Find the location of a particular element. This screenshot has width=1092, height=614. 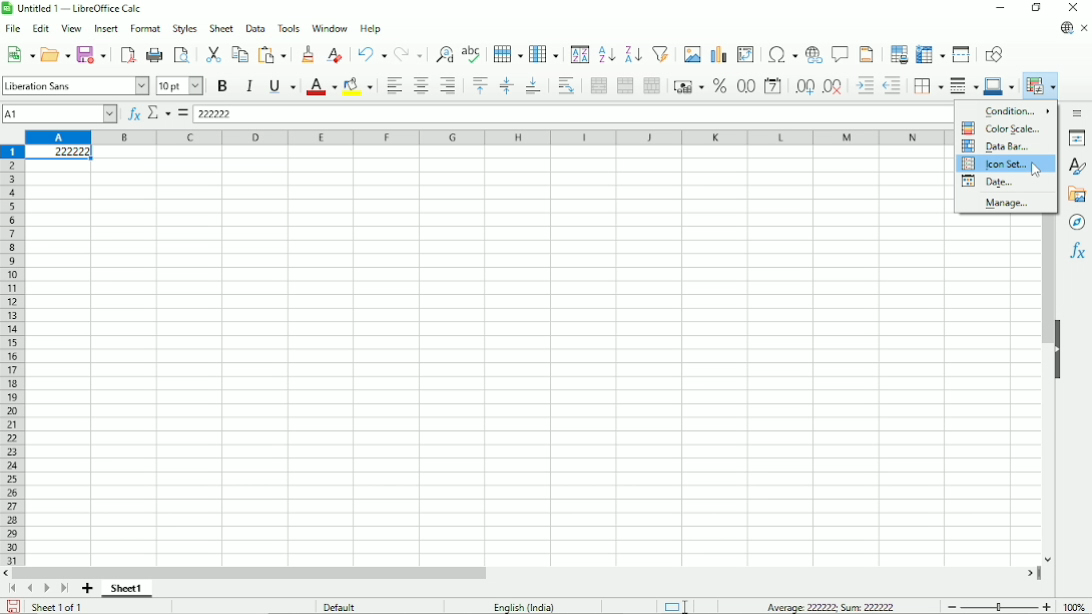

Format as number is located at coordinates (745, 87).